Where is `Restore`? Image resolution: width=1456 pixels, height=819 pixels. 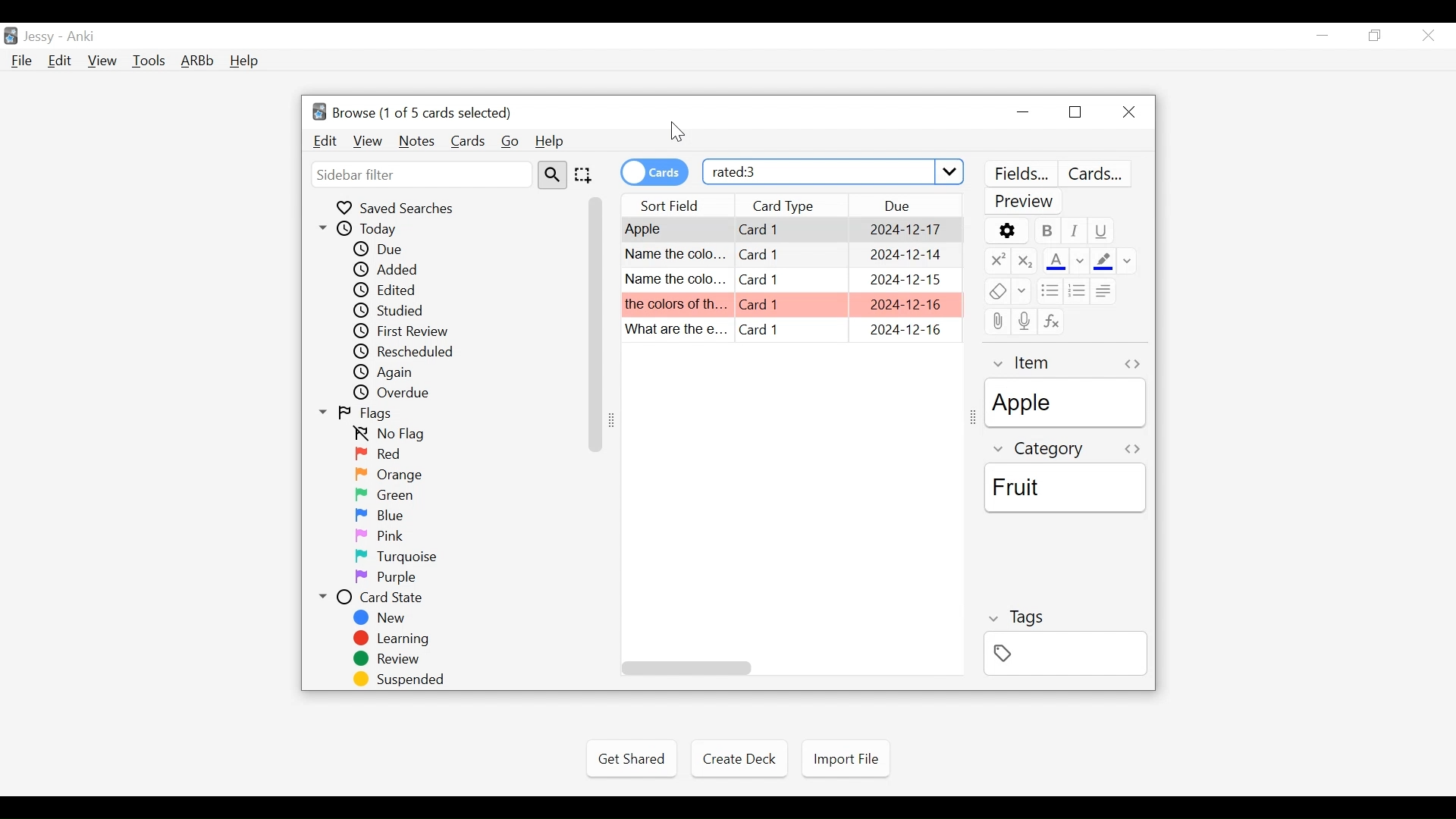 Restore is located at coordinates (1377, 36).